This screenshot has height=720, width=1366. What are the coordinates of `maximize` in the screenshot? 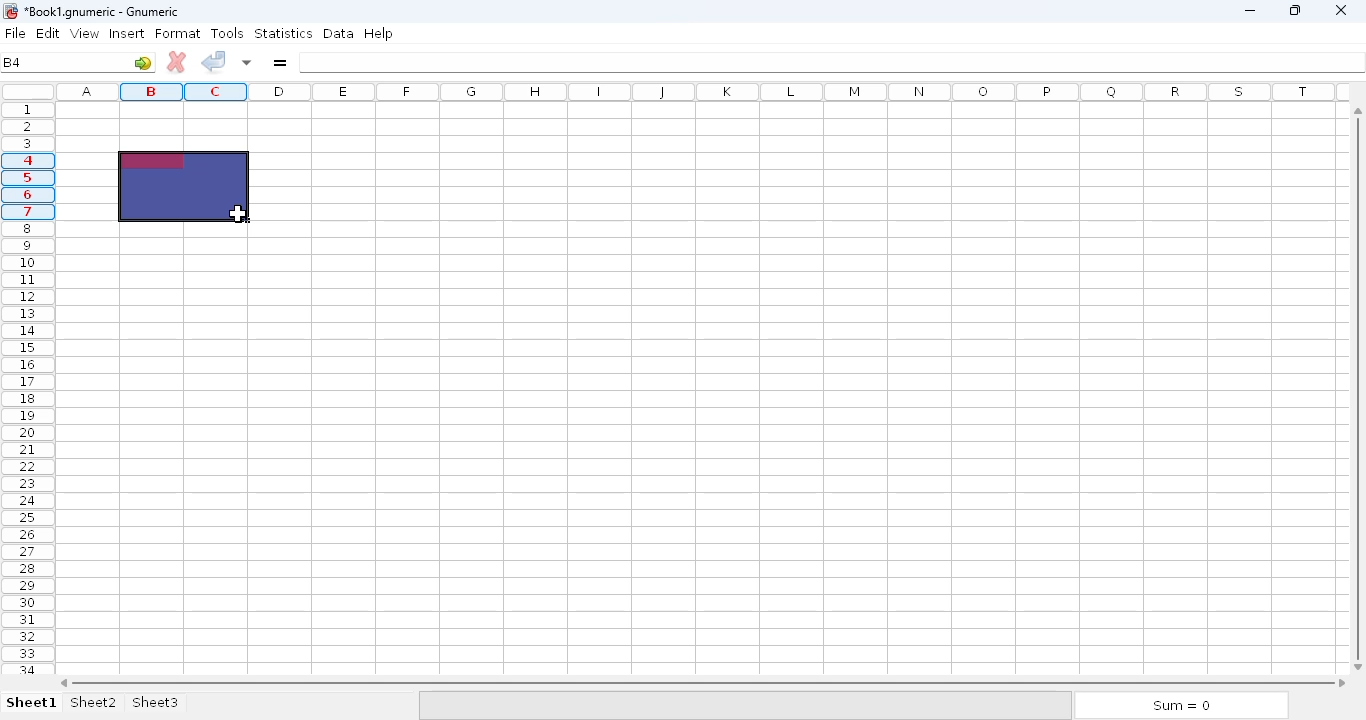 It's located at (1293, 10).